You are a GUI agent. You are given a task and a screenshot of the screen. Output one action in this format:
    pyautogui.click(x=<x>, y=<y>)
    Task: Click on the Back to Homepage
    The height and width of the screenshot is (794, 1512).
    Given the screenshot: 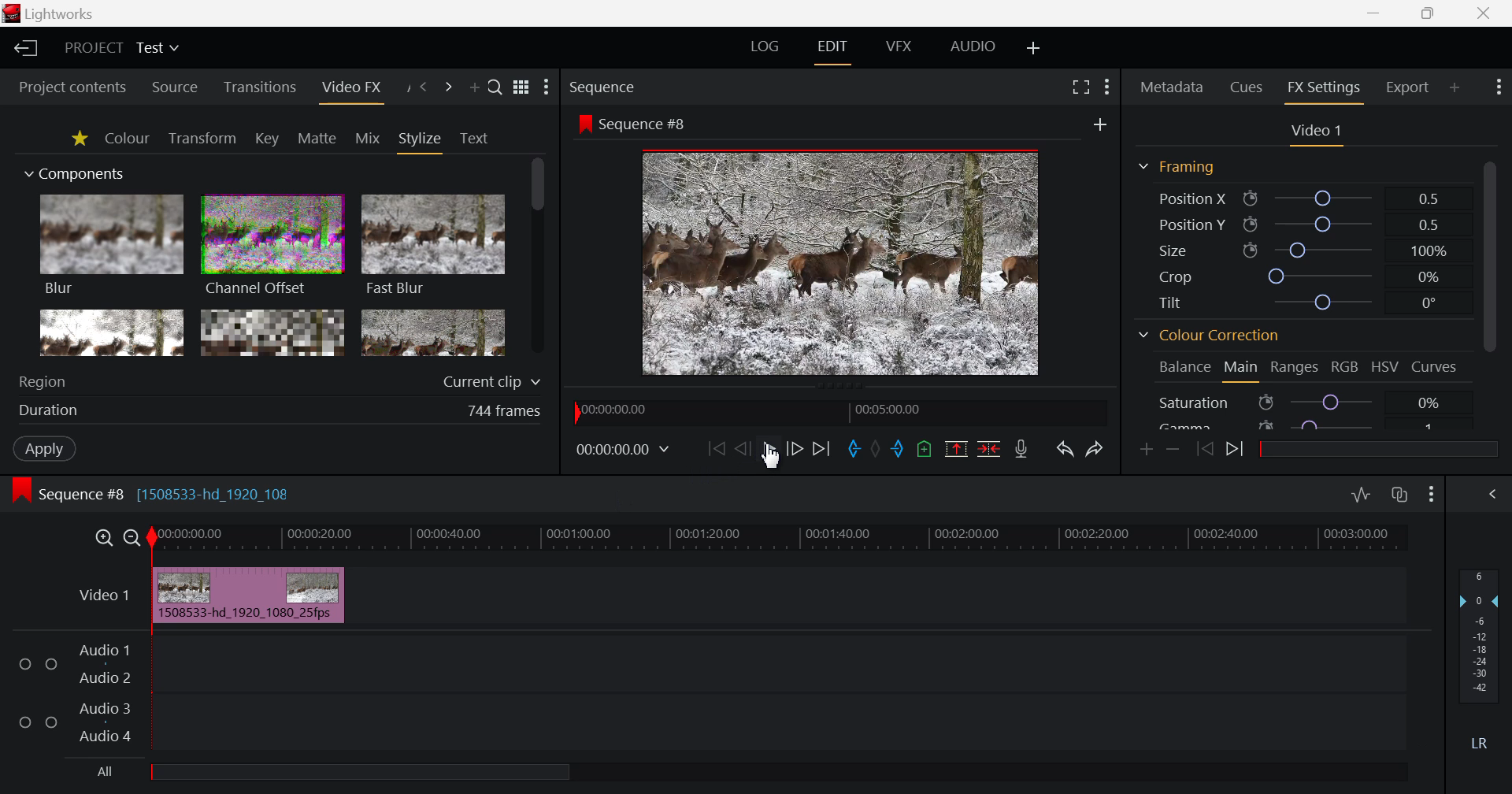 What is the action you would take?
    pyautogui.click(x=25, y=49)
    